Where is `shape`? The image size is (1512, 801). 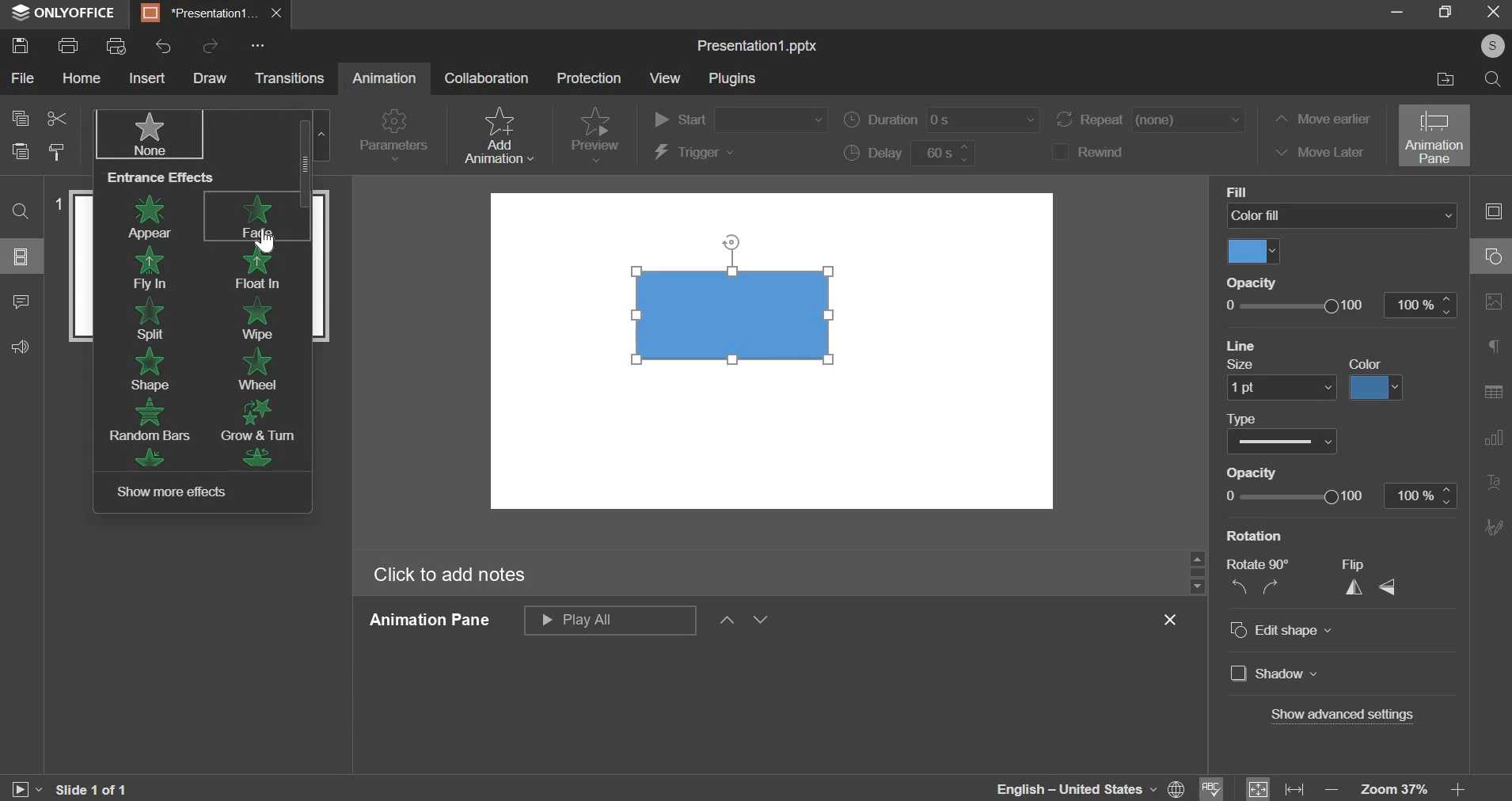
shape is located at coordinates (146, 370).